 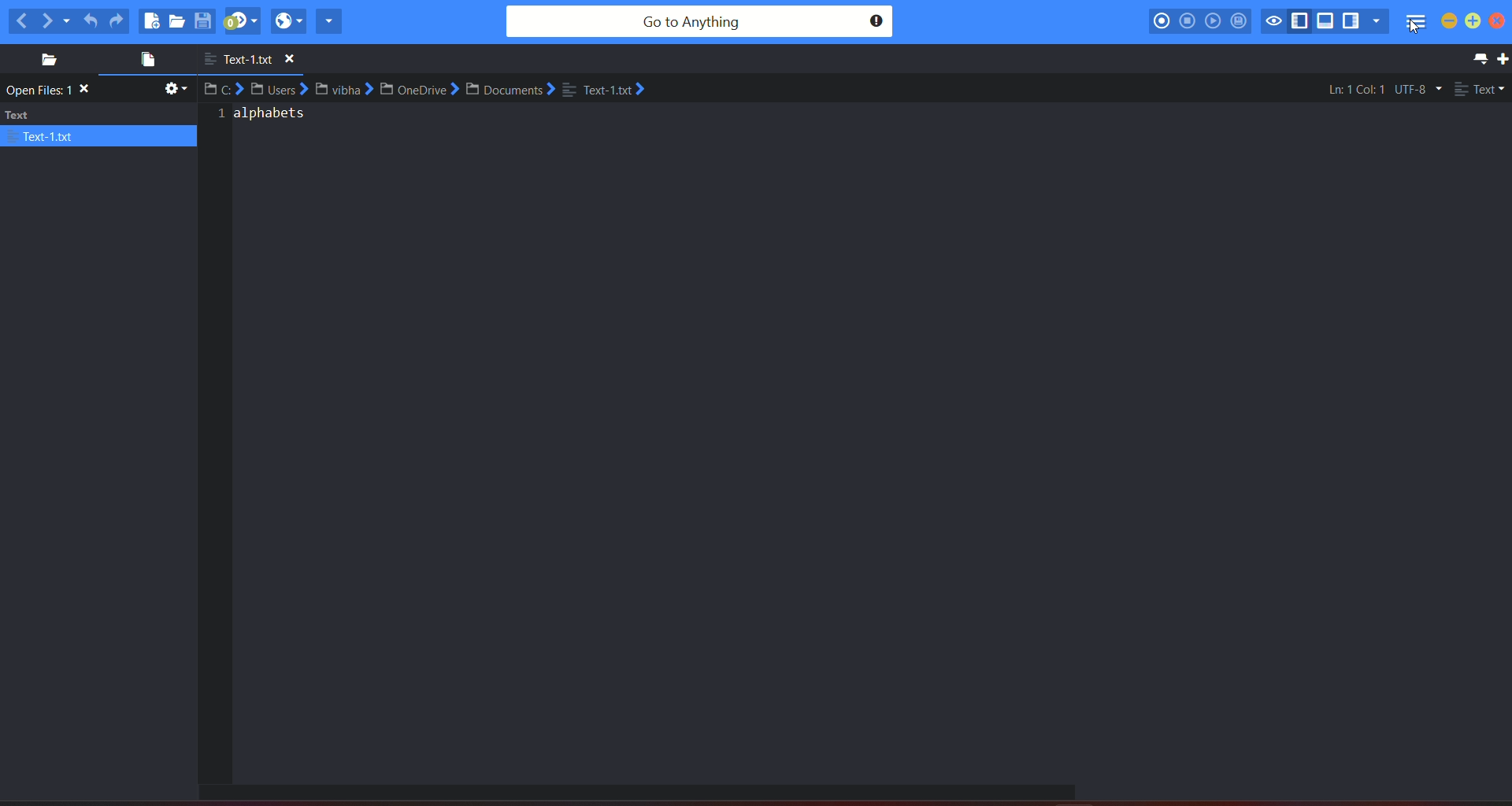 I want to click on list all tab, so click(x=1477, y=58).